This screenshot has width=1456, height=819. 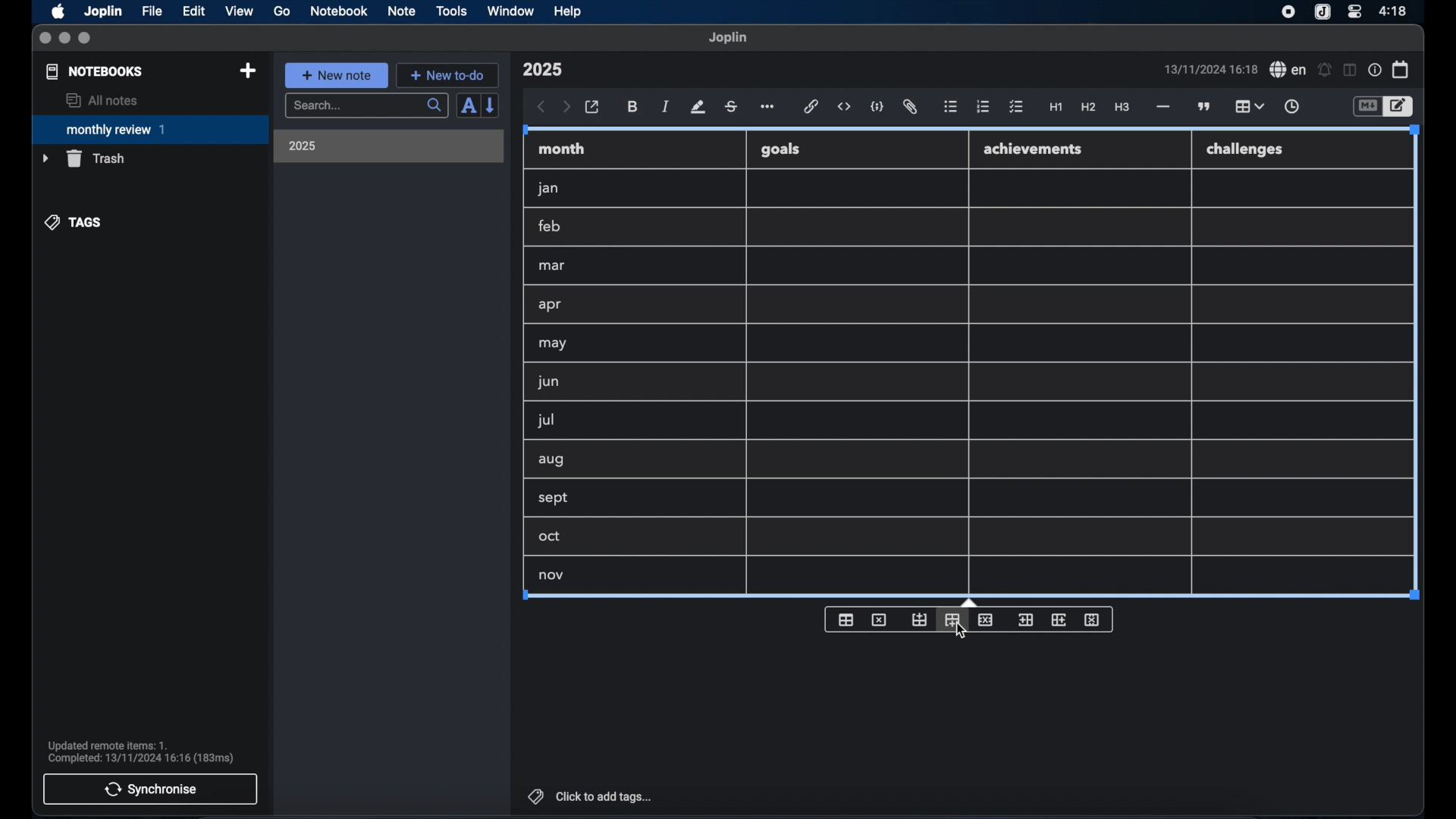 What do you see at coordinates (1291, 107) in the screenshot?
I see `insert time` at bounding box center [1291, 107].